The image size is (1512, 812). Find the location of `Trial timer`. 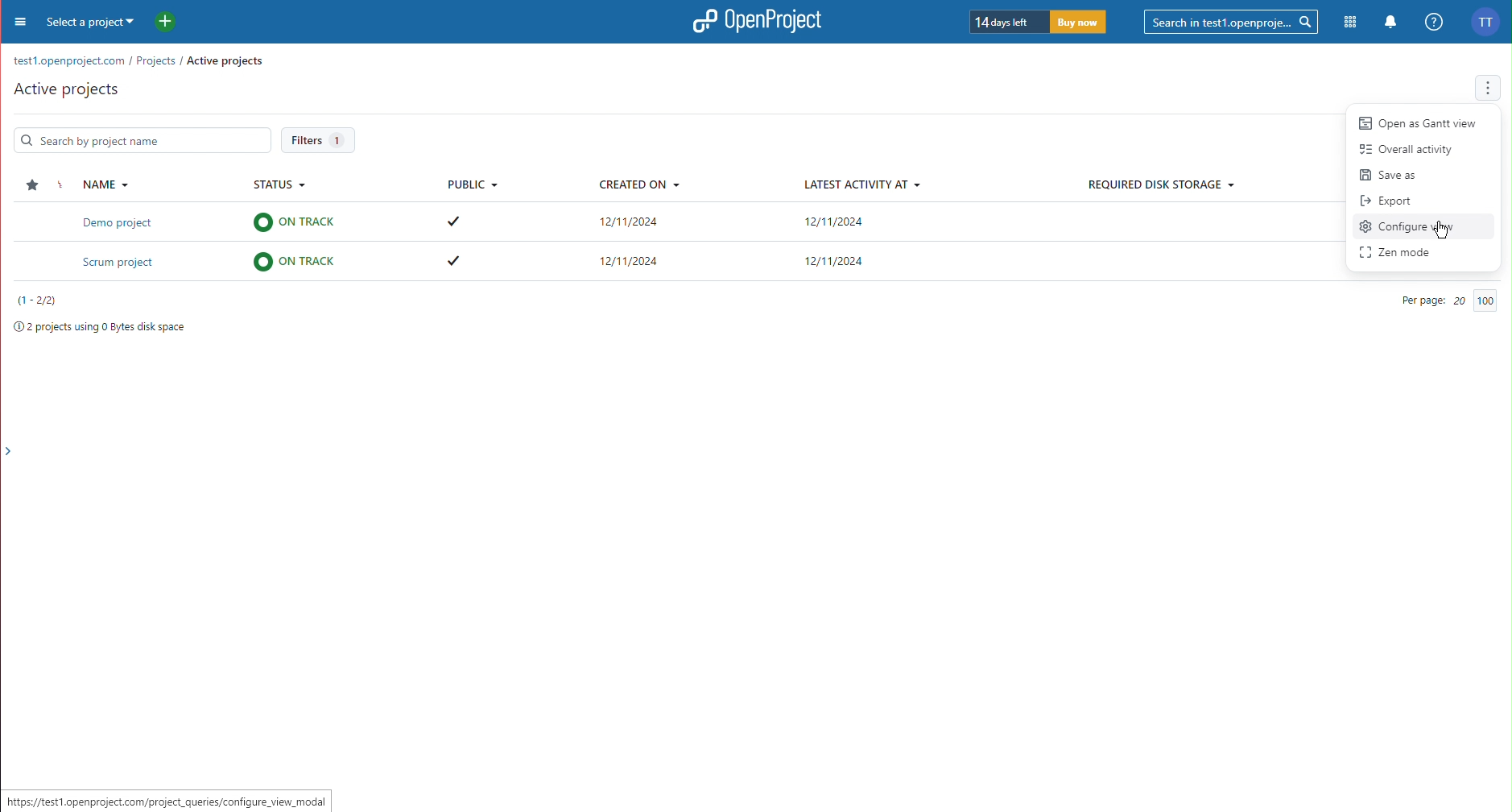

Trial timer is located at coordinates (1039, 24).